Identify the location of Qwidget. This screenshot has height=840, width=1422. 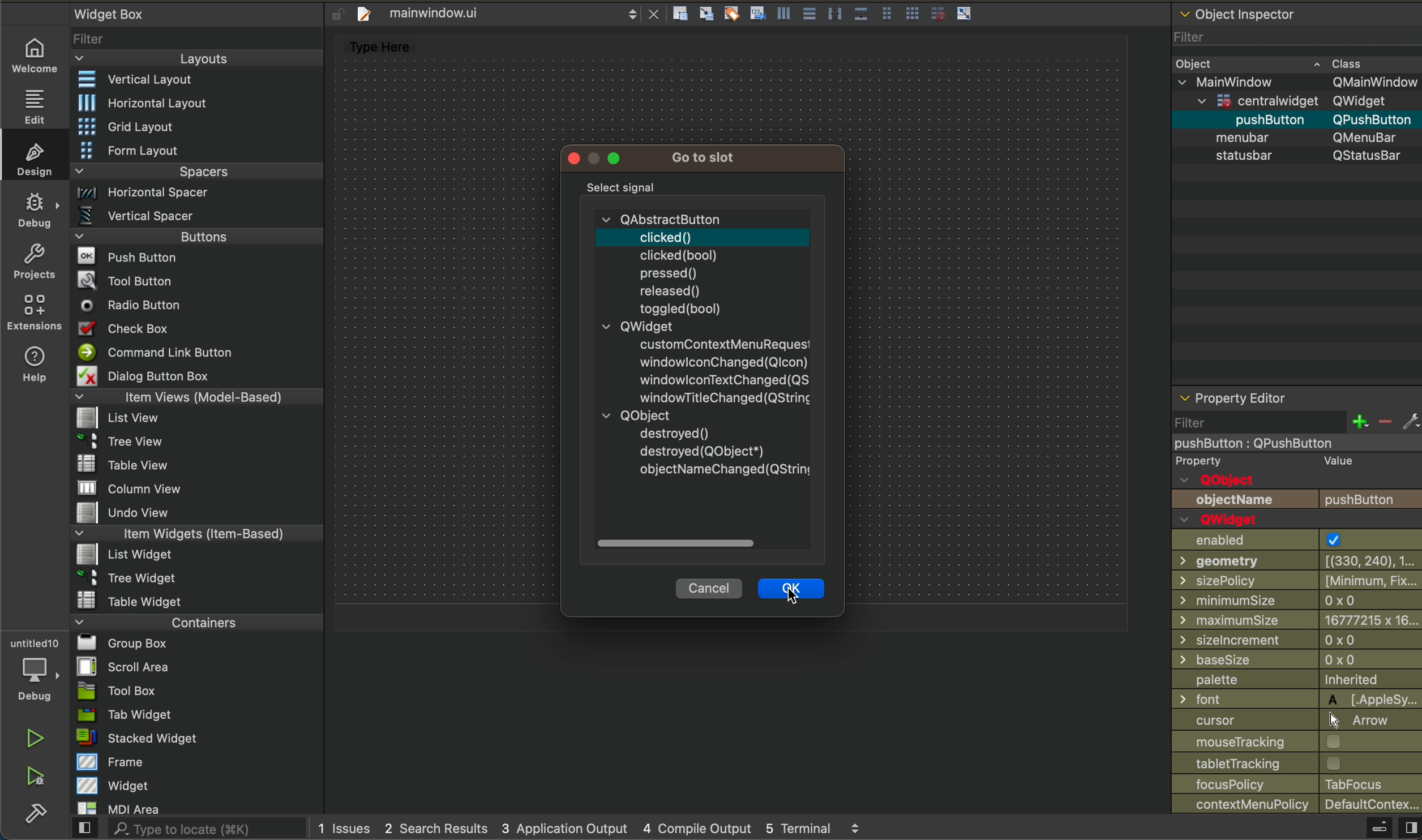
(1224, 520).